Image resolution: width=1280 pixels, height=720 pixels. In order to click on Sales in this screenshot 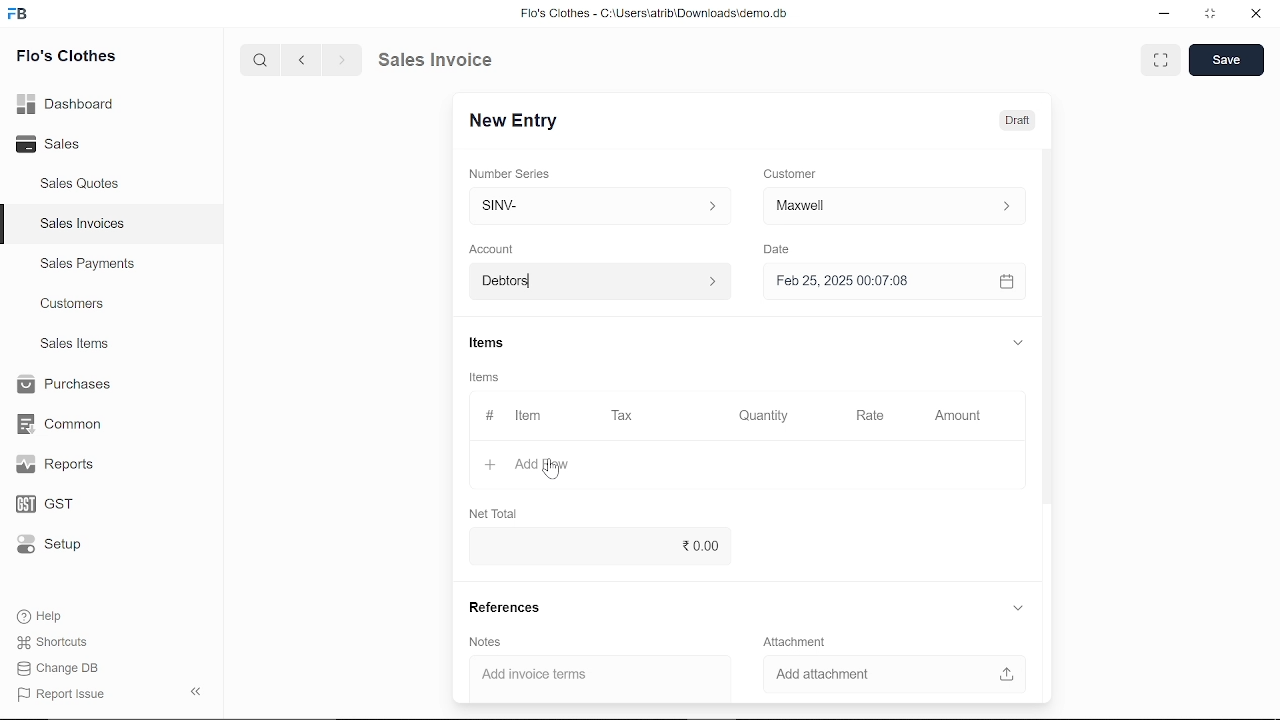, I will do `click(57, 142)`.